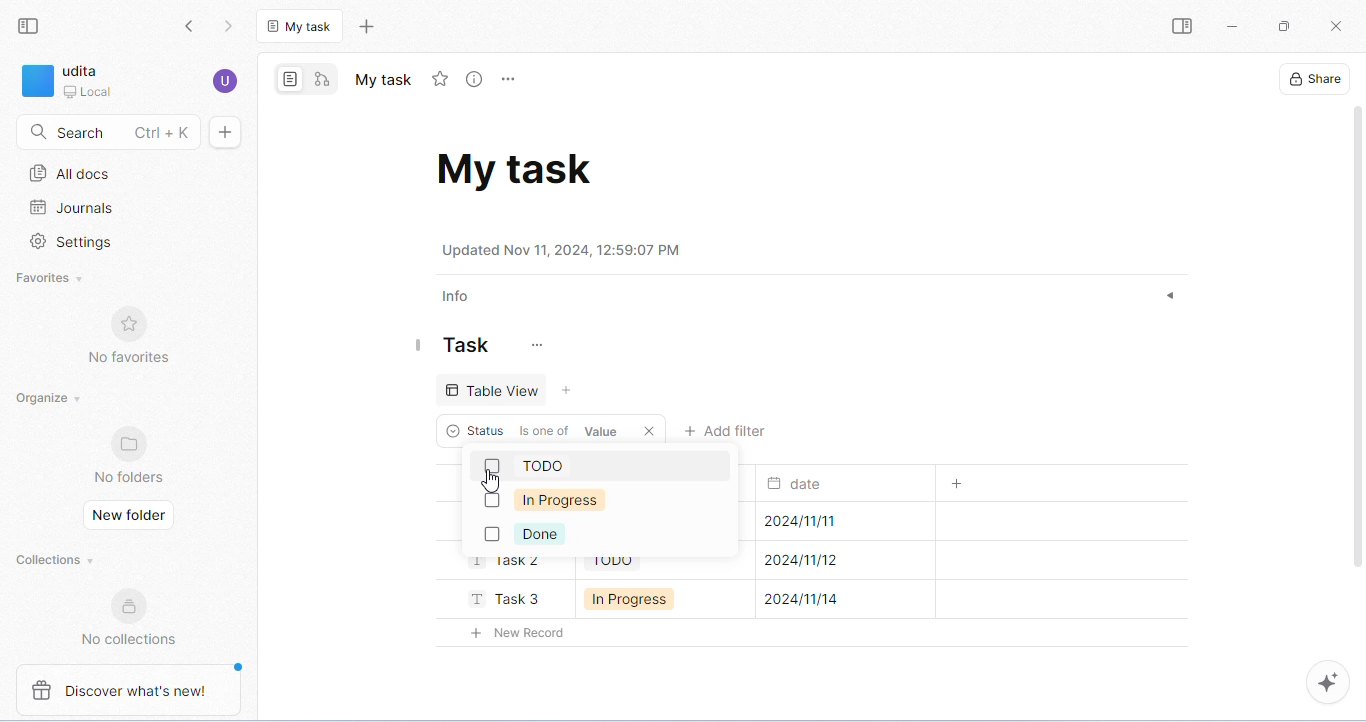  What do you see at coordinates (1181, 27) in the screenshot?
I see `open sidebar` at bounding box center [1181, 27].